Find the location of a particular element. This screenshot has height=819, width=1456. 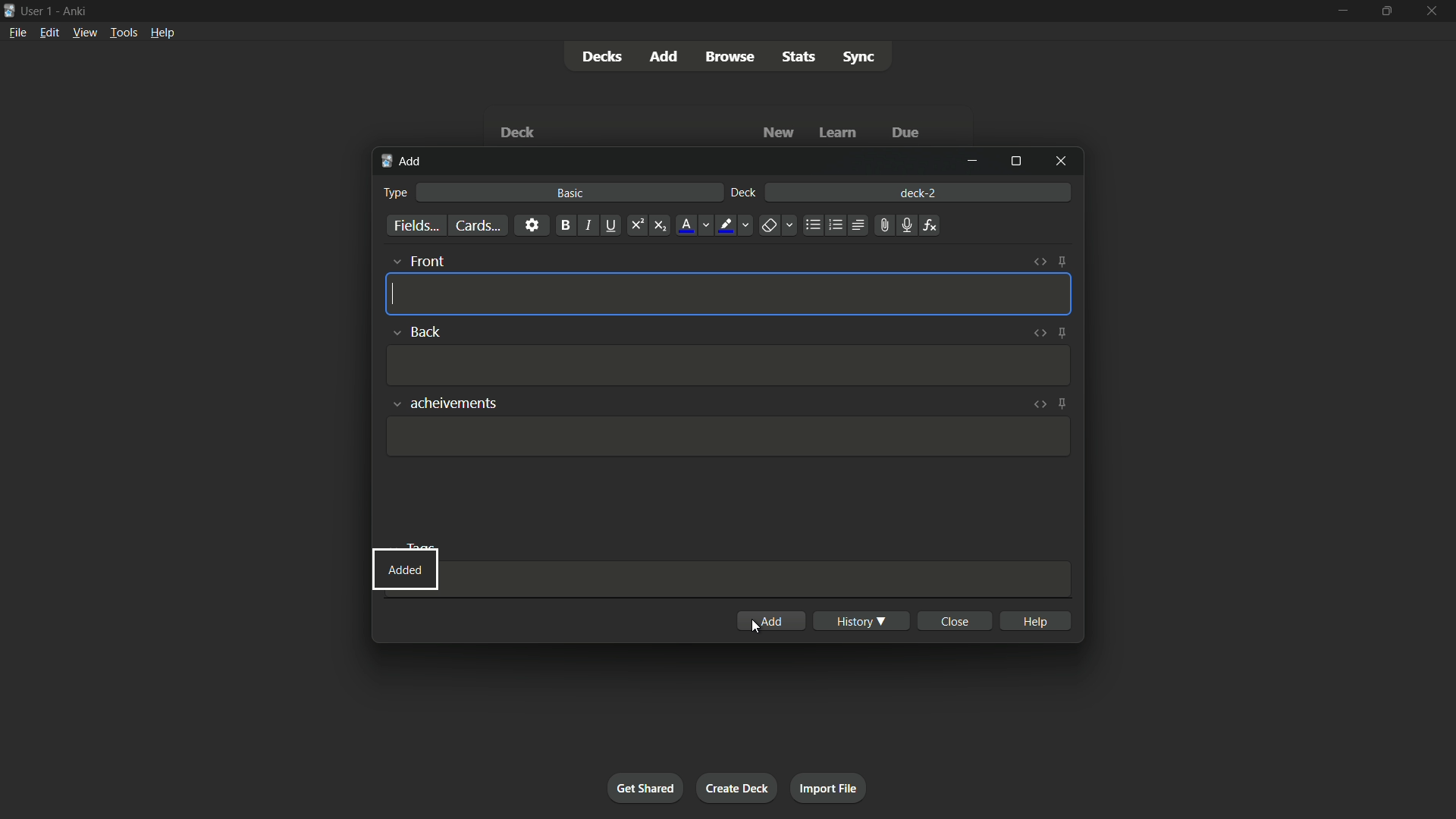

basic is located at coordinates (572, 193).